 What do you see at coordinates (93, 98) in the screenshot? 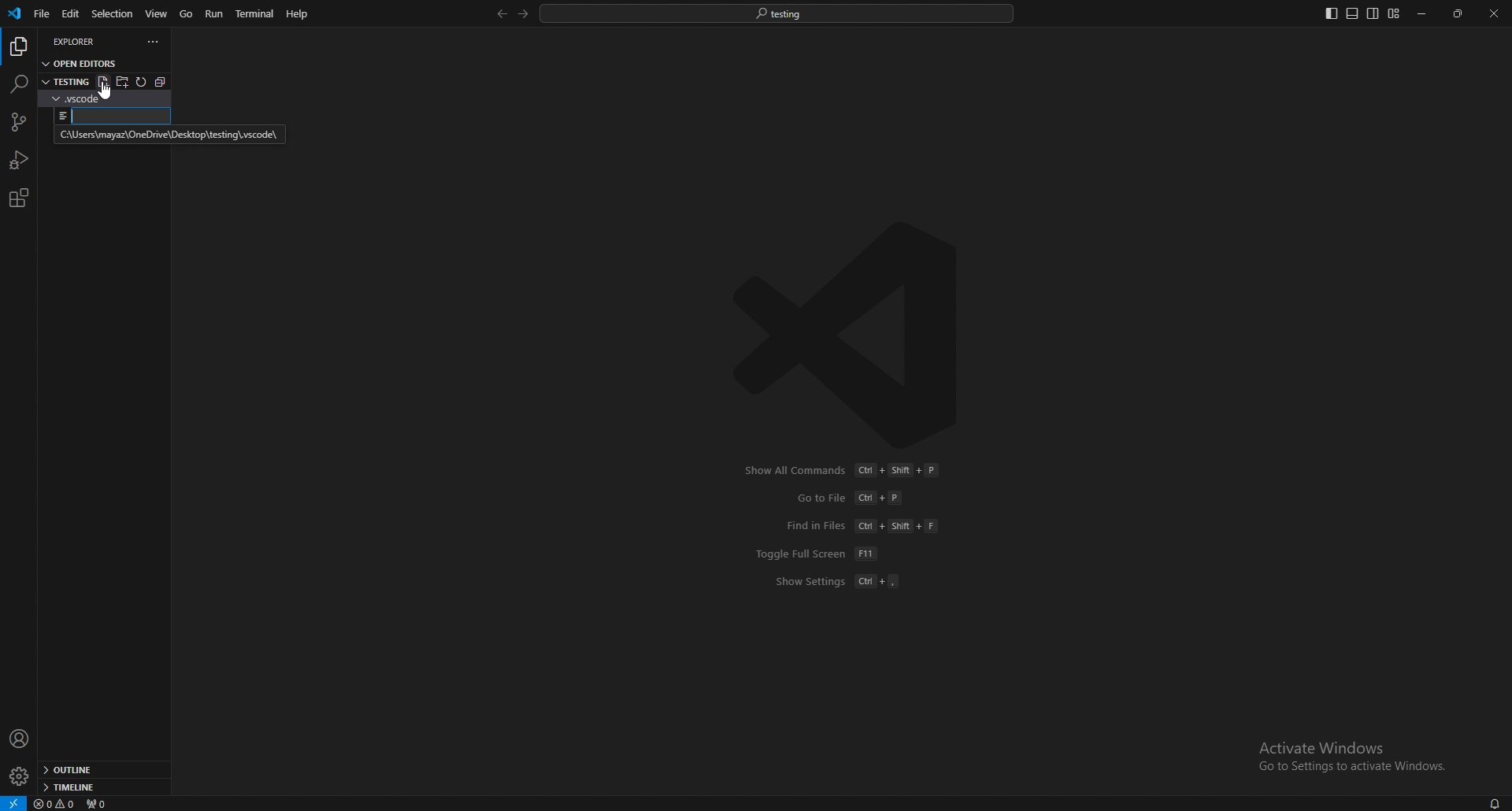
I see `folder name` at bounding box center [93, 98].